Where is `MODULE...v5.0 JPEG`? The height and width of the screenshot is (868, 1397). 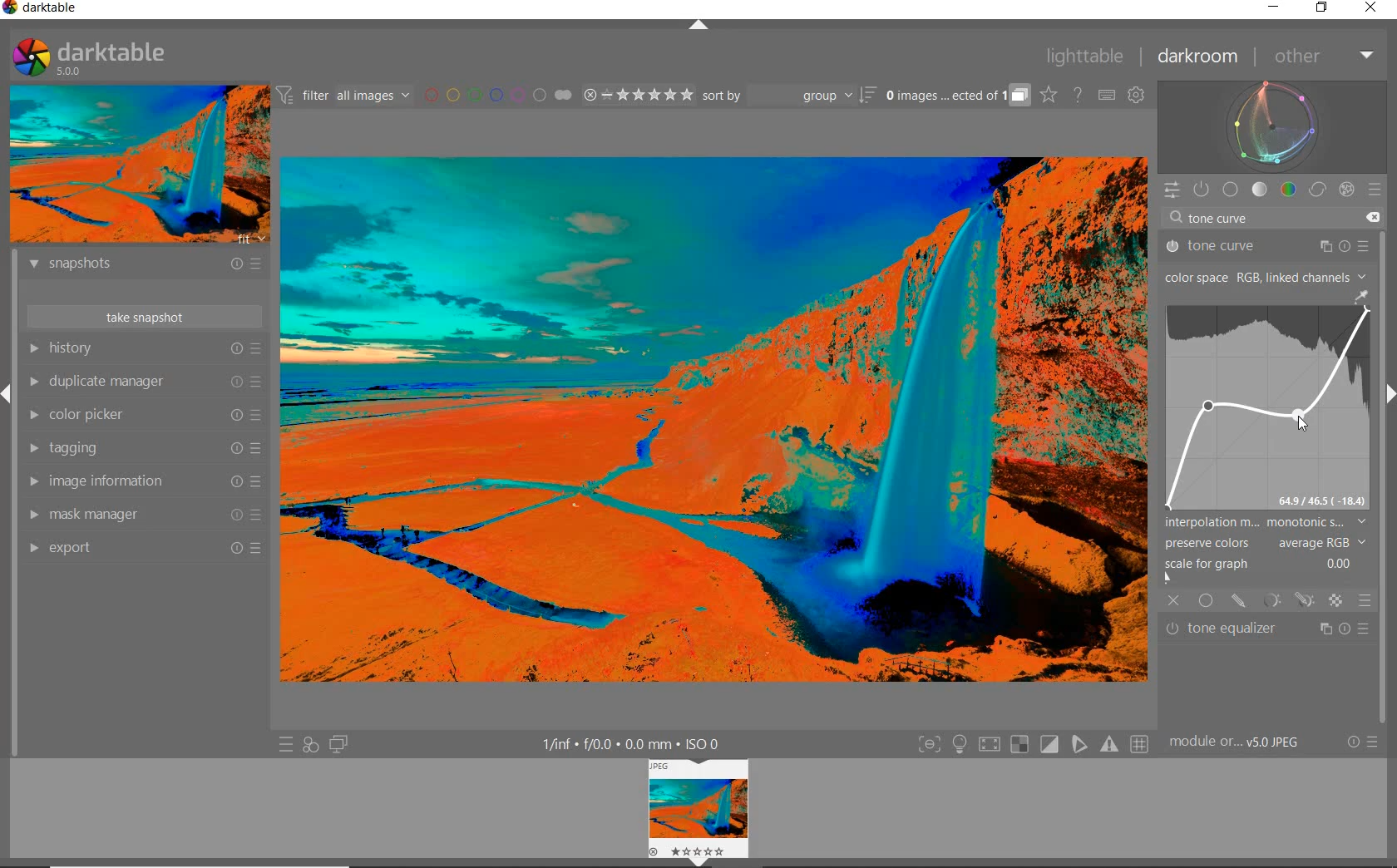 MODULE...v5.0 JPEG is located at coordinates (1239, 743).